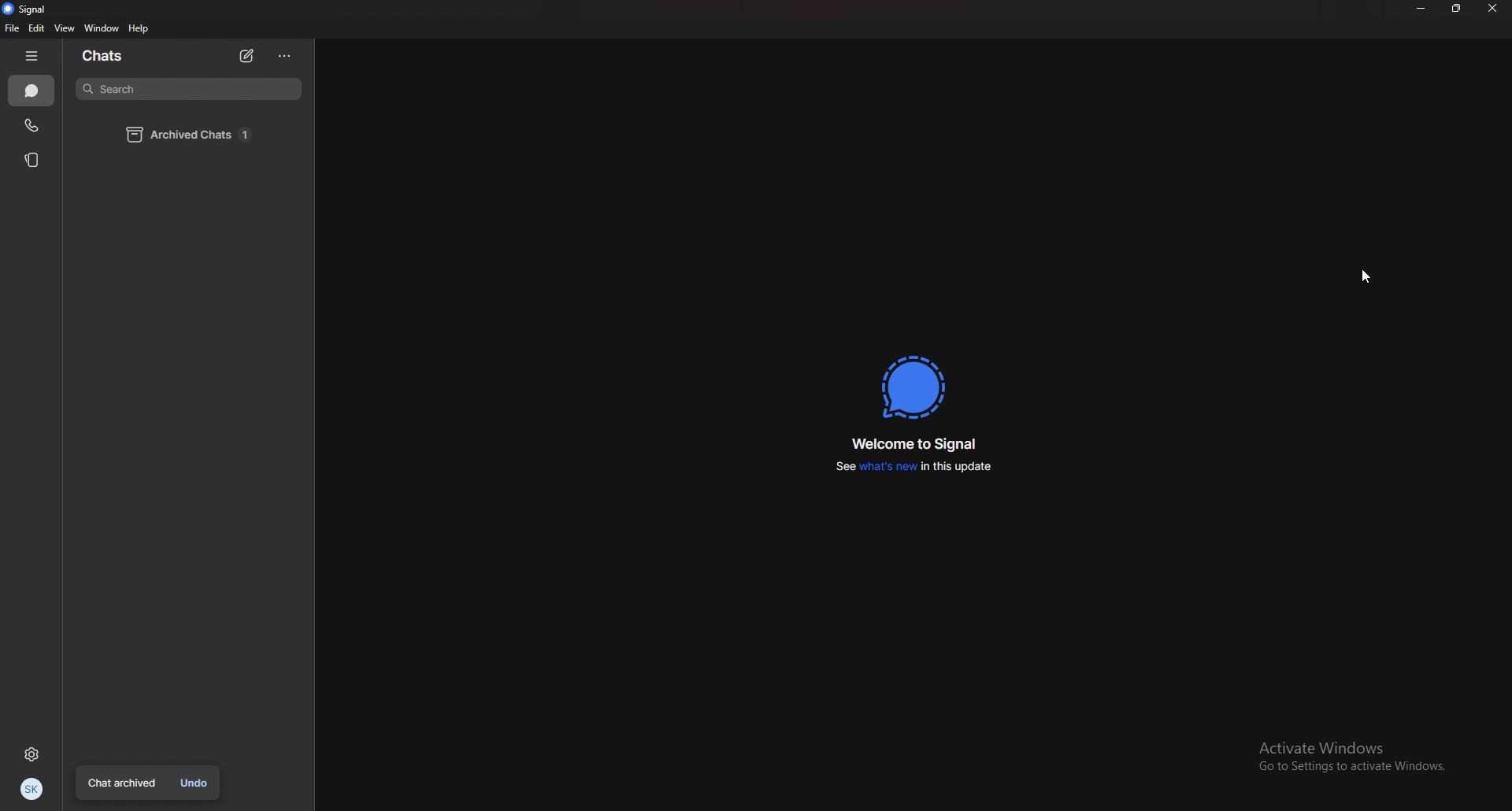 This screenshot has height=811, width=1512. I want to click on Settings, so click(31, 754).